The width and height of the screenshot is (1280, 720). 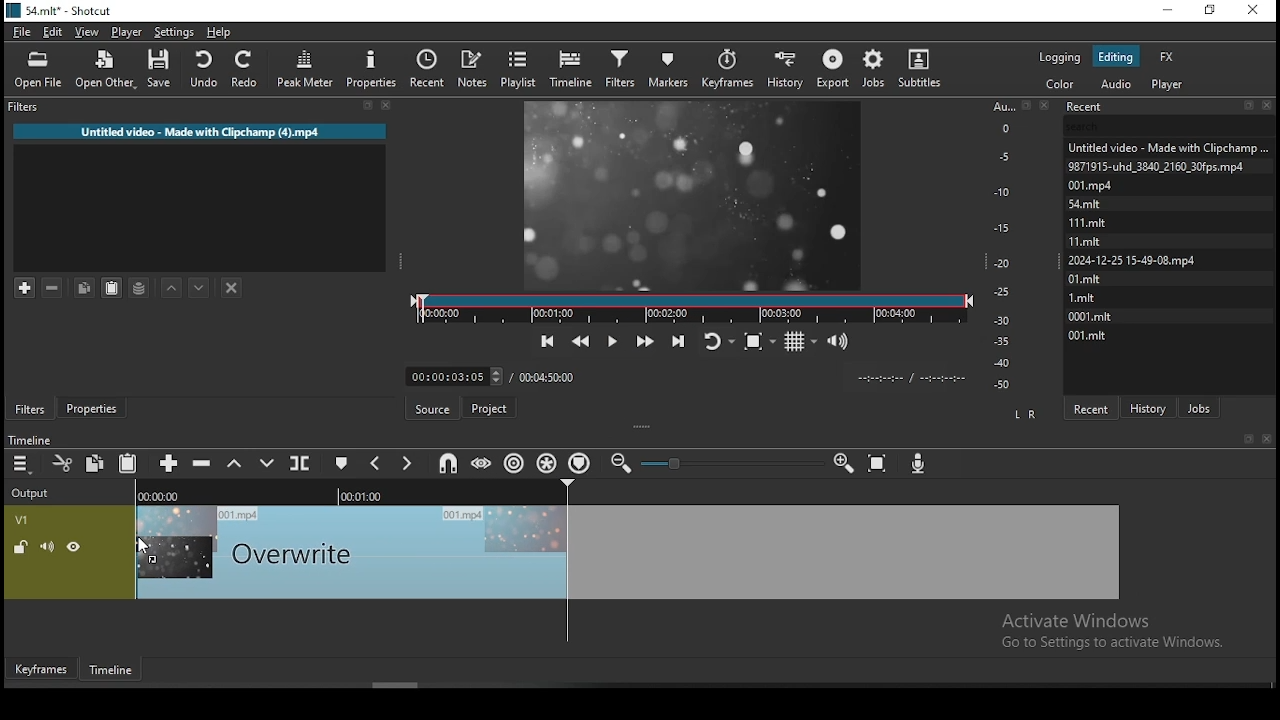 What do you see at coordinates (110, 288) in the screenshot?
I see `paste` at bounding box center [110, 288].